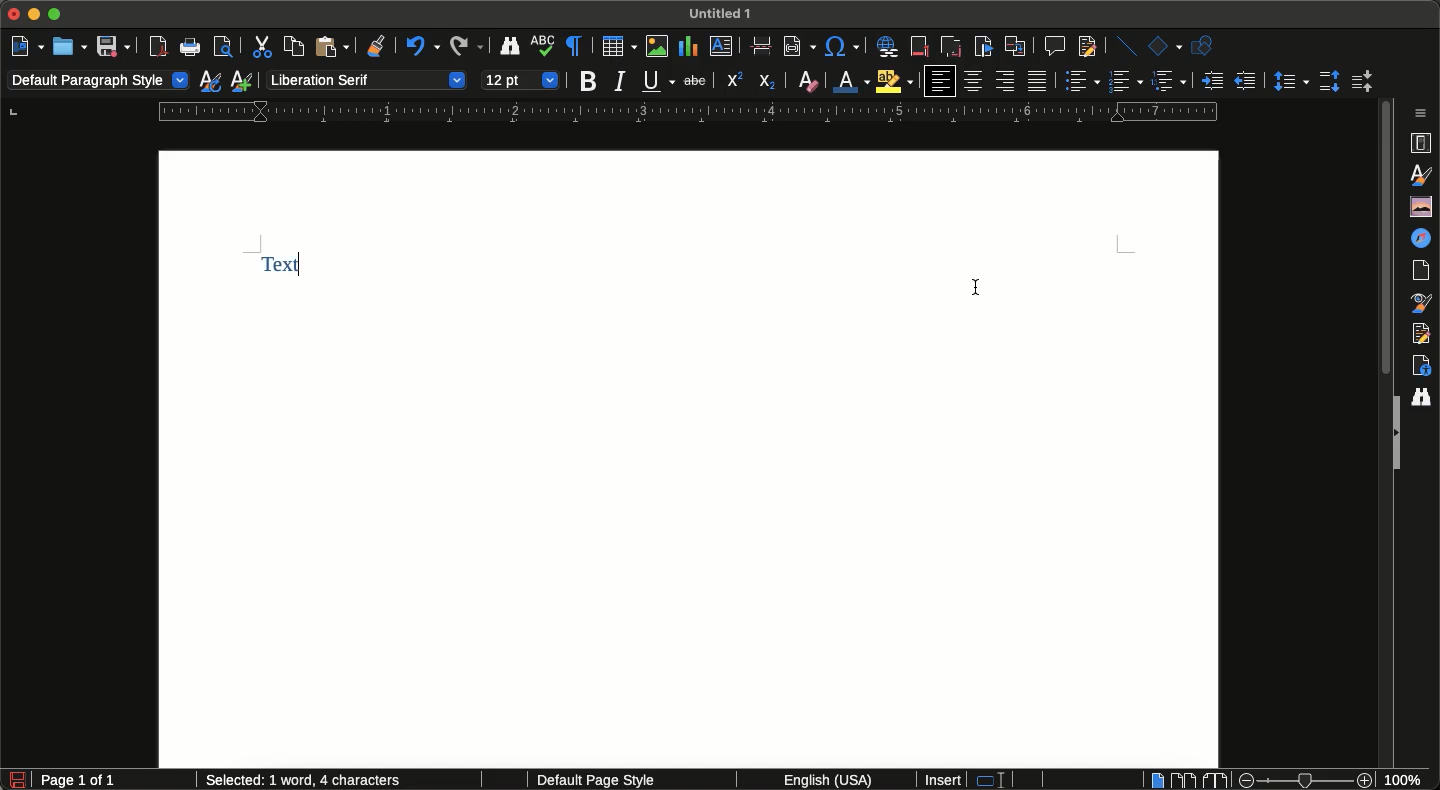  What do you see at coordinates (1394, 434) in the screenshot?
I see `Expand` at bounding box center [1394, 434].